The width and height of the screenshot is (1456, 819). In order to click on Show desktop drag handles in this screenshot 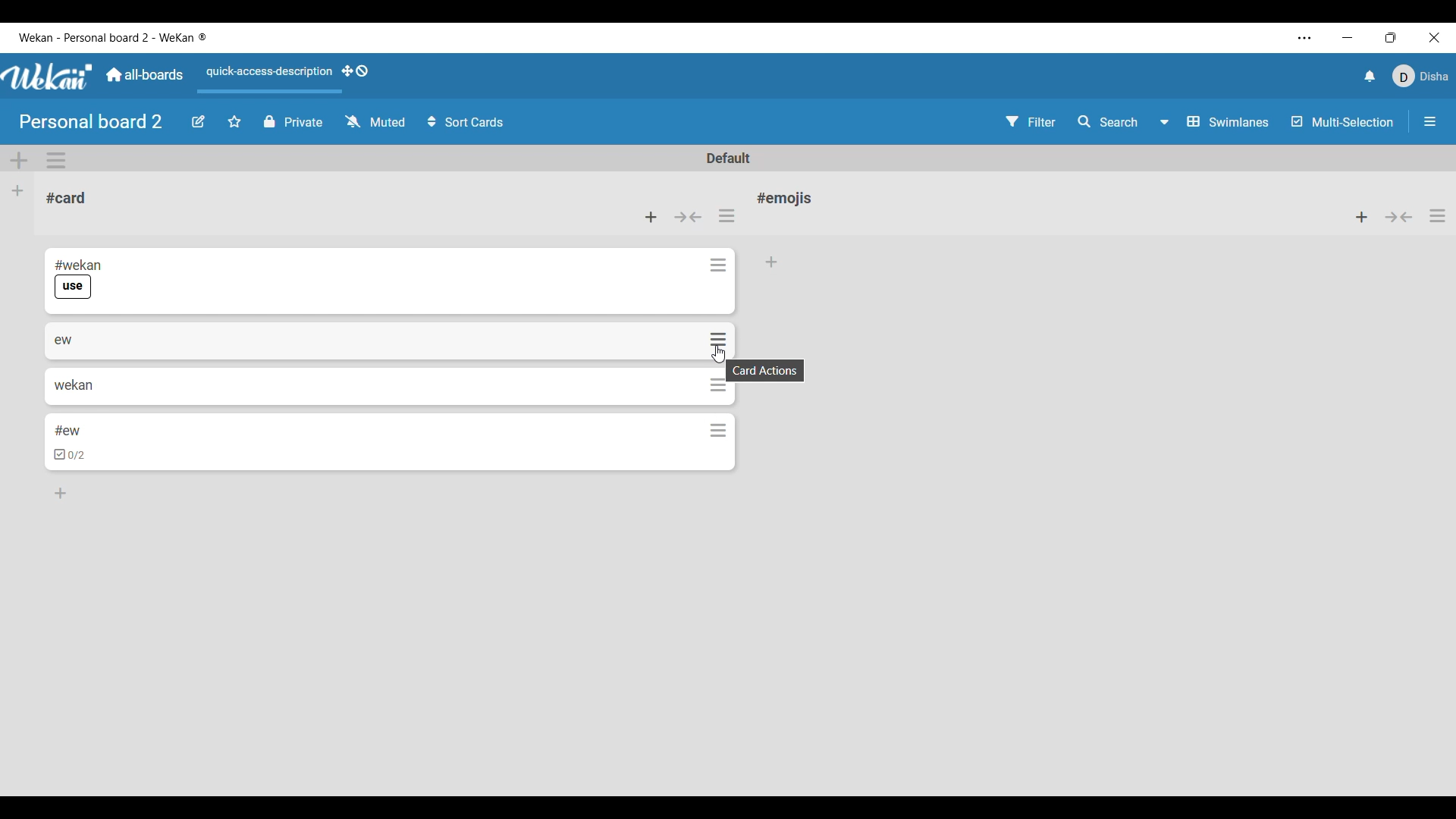, I will do `click(355, 71)`.